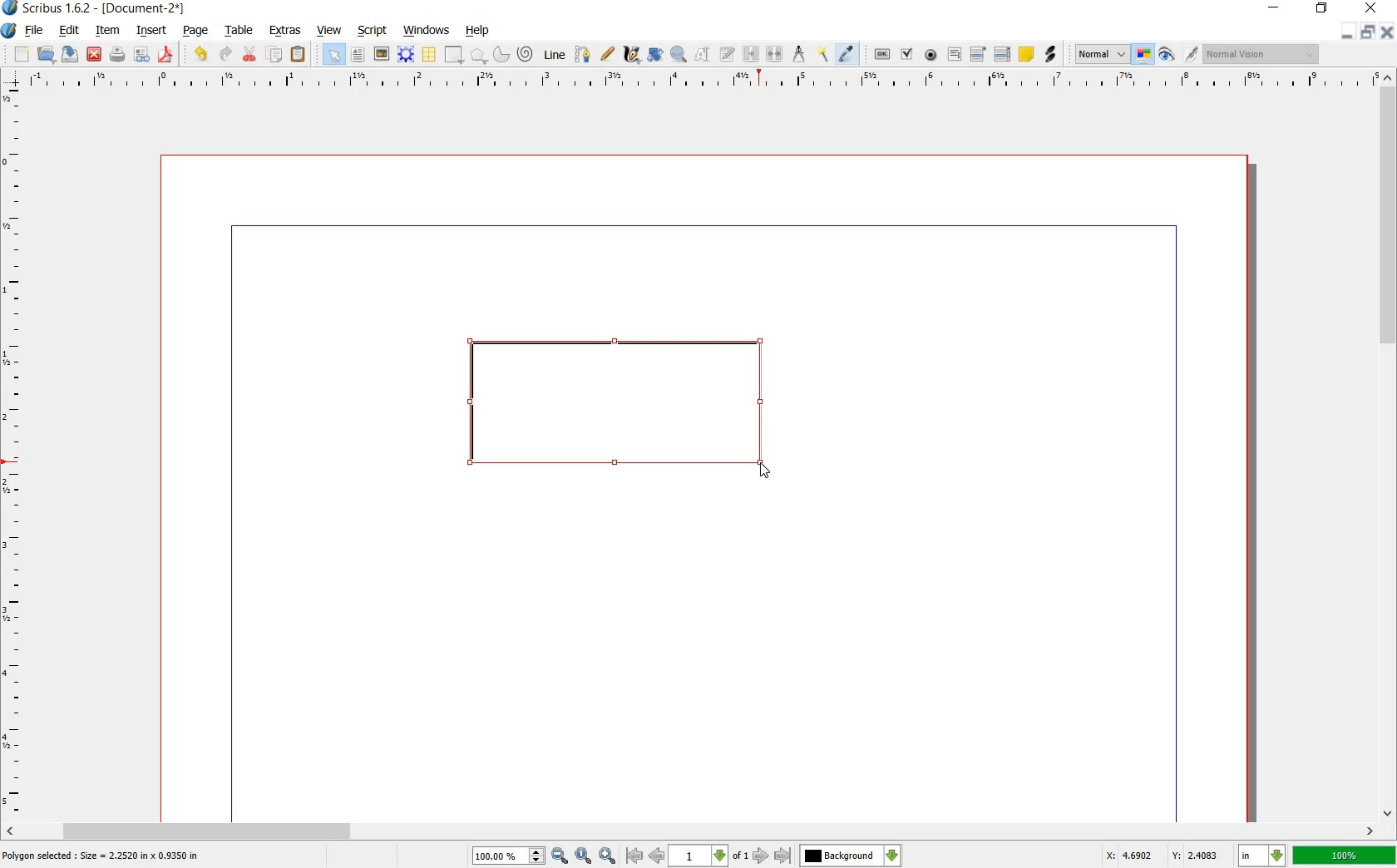 Image resolution: width=1397 pixels, height=868 pixels. Describe the element at coordinates (634, 856) in the screenshot. I see `go to first page` at that location.